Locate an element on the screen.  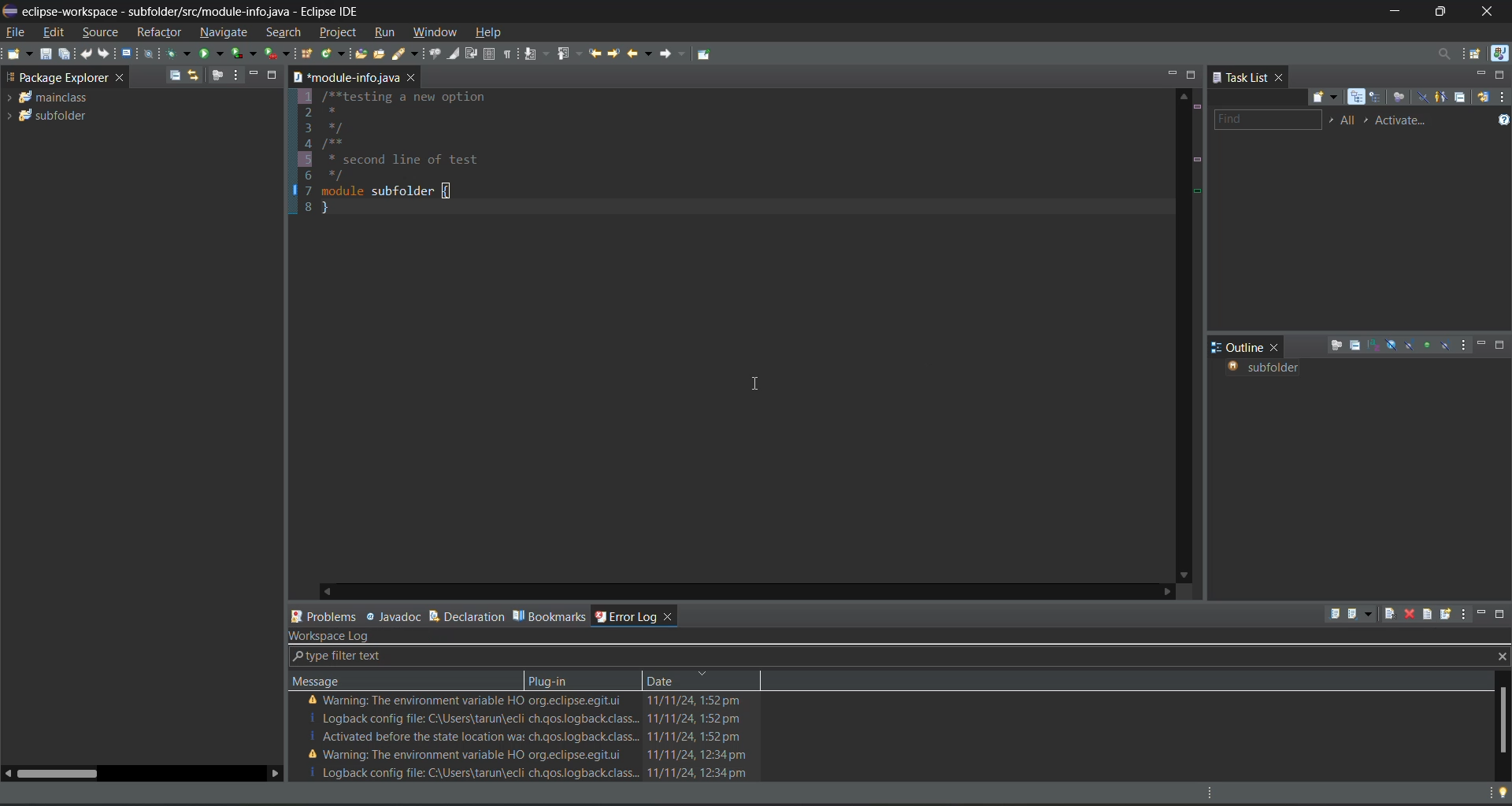
undo is located at coordinates (87, 54).